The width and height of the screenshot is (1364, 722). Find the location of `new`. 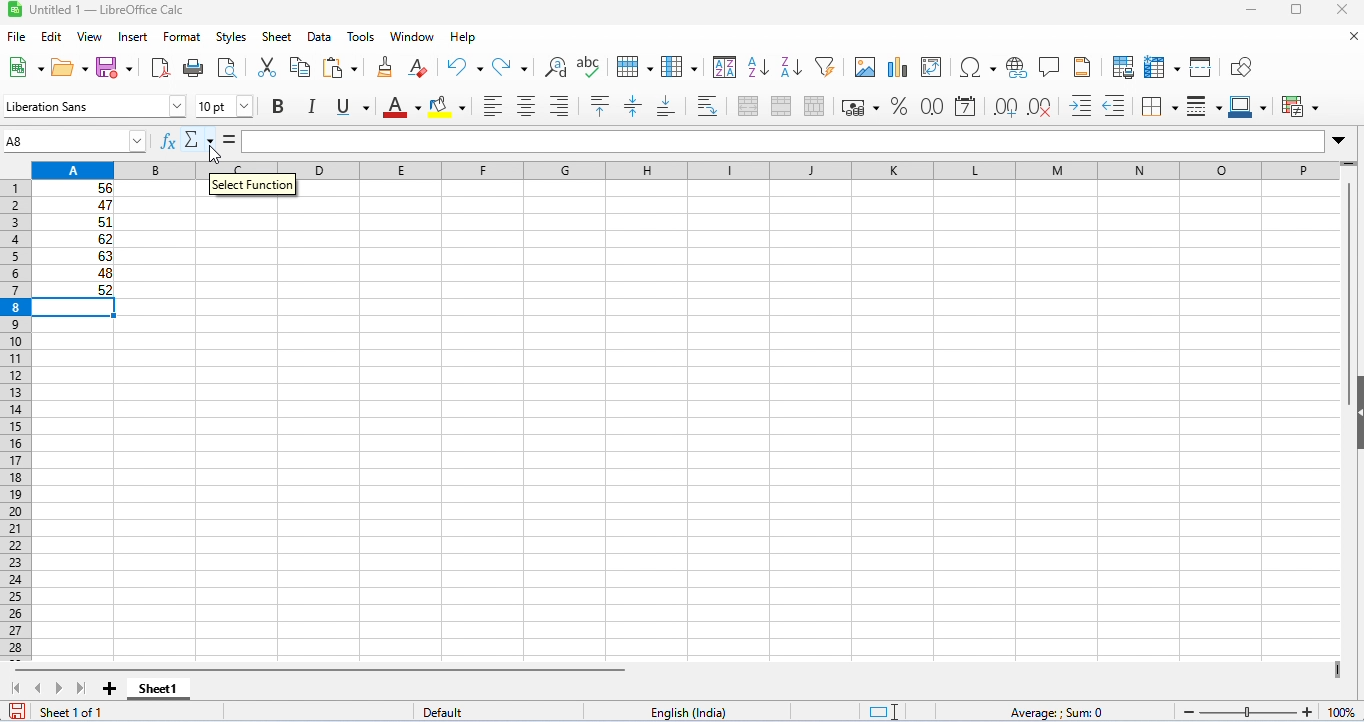

new is located at coordinates (23, 67).